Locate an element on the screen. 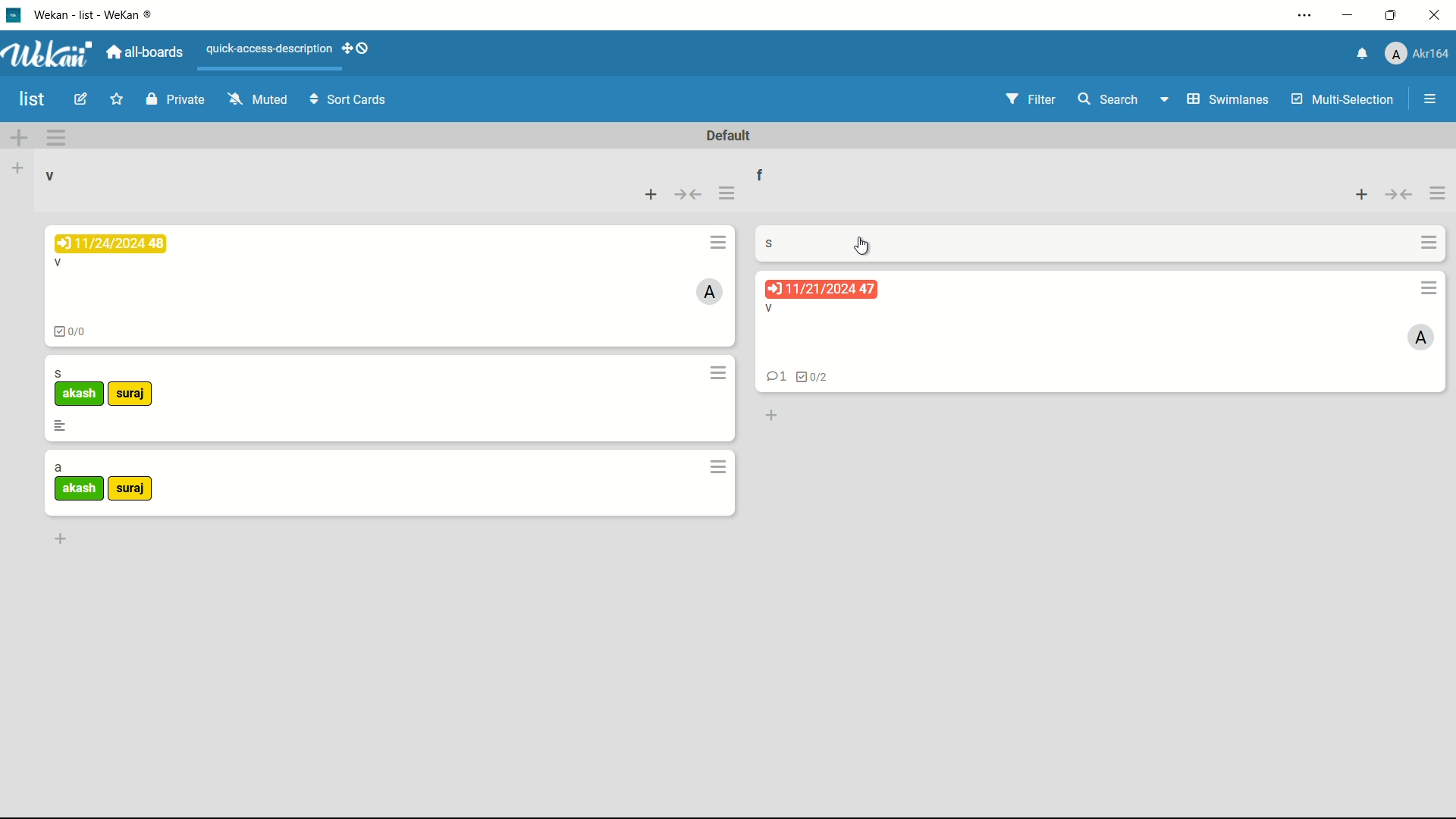 This screenshot has height=819, width=1456. add card bottom is located at coordinates (770, 415).